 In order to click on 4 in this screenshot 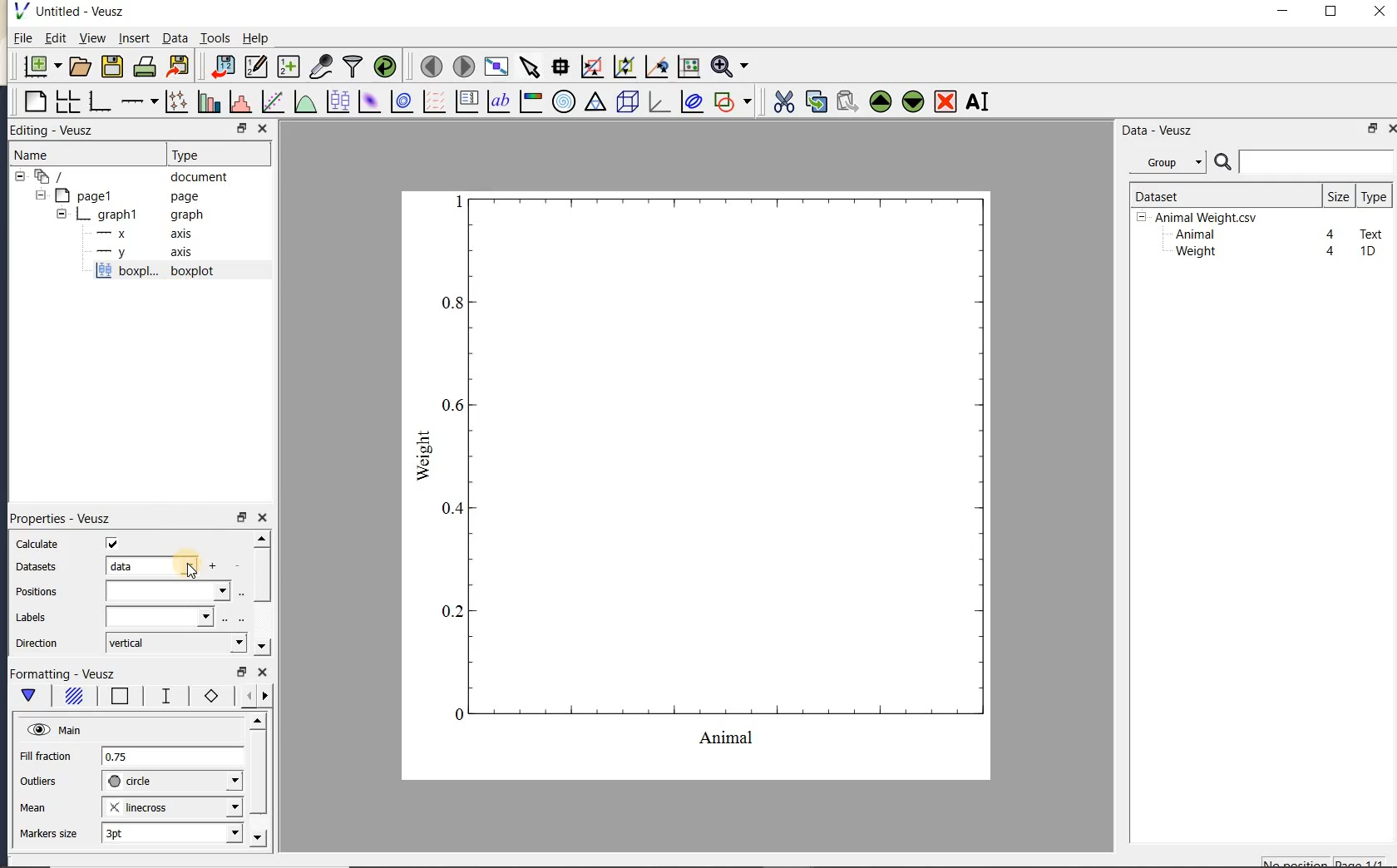, I will do `click(1331, 252)`.